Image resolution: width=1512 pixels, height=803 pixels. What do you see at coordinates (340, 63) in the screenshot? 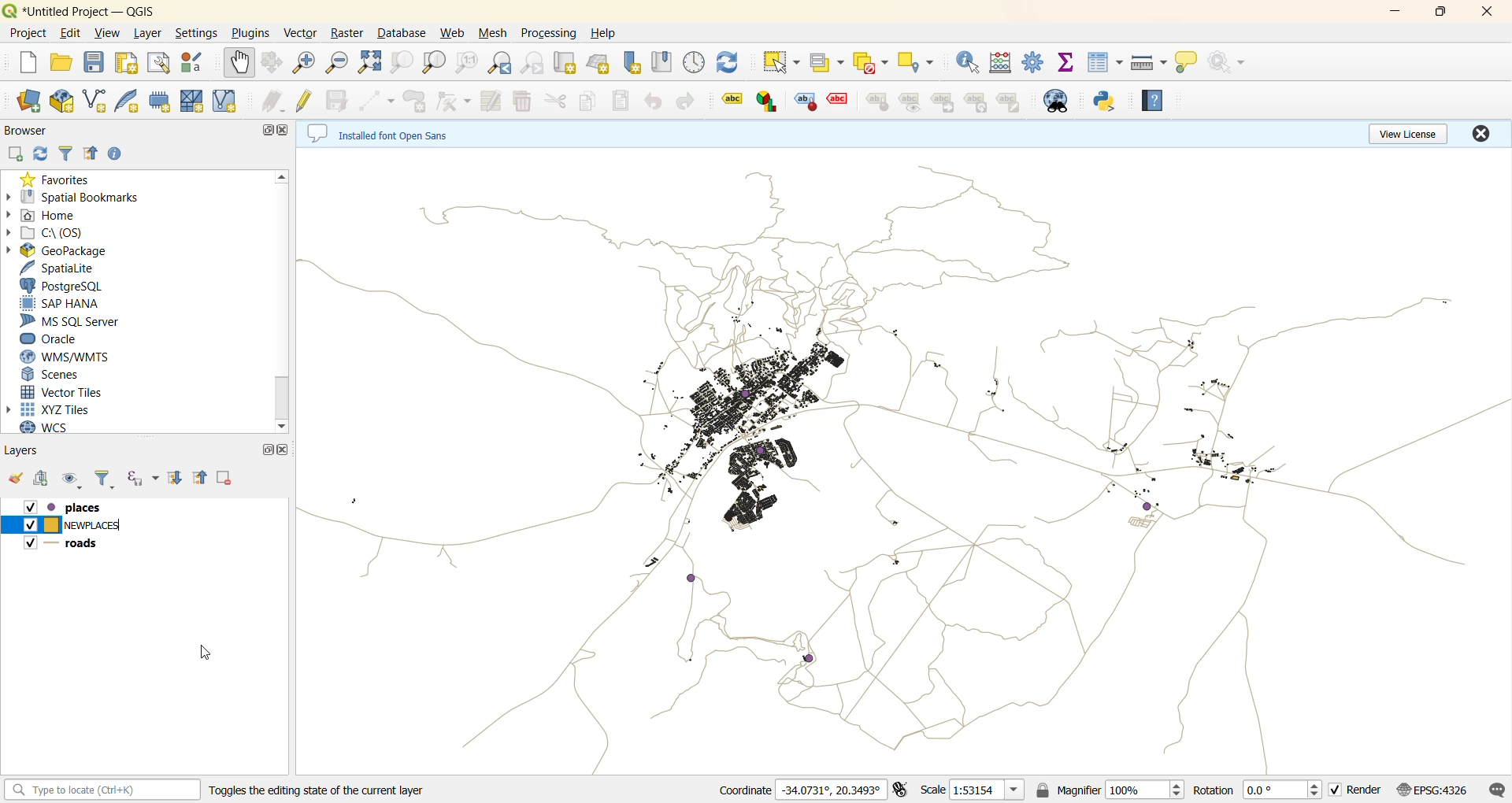
I see `zoom out` at bounding box center [340, 63].